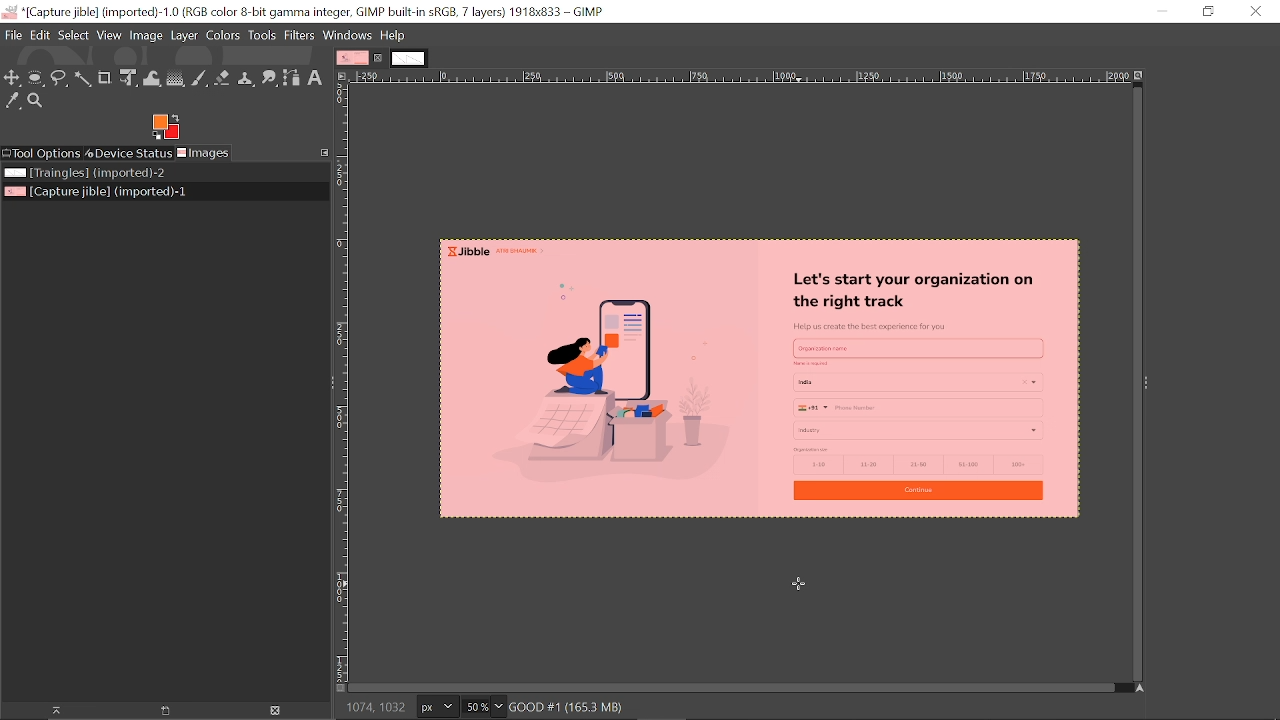  What do you see at coordinates (1257, 13) in the screenshot?
I see `Close` at bounding box center [1257, 13].